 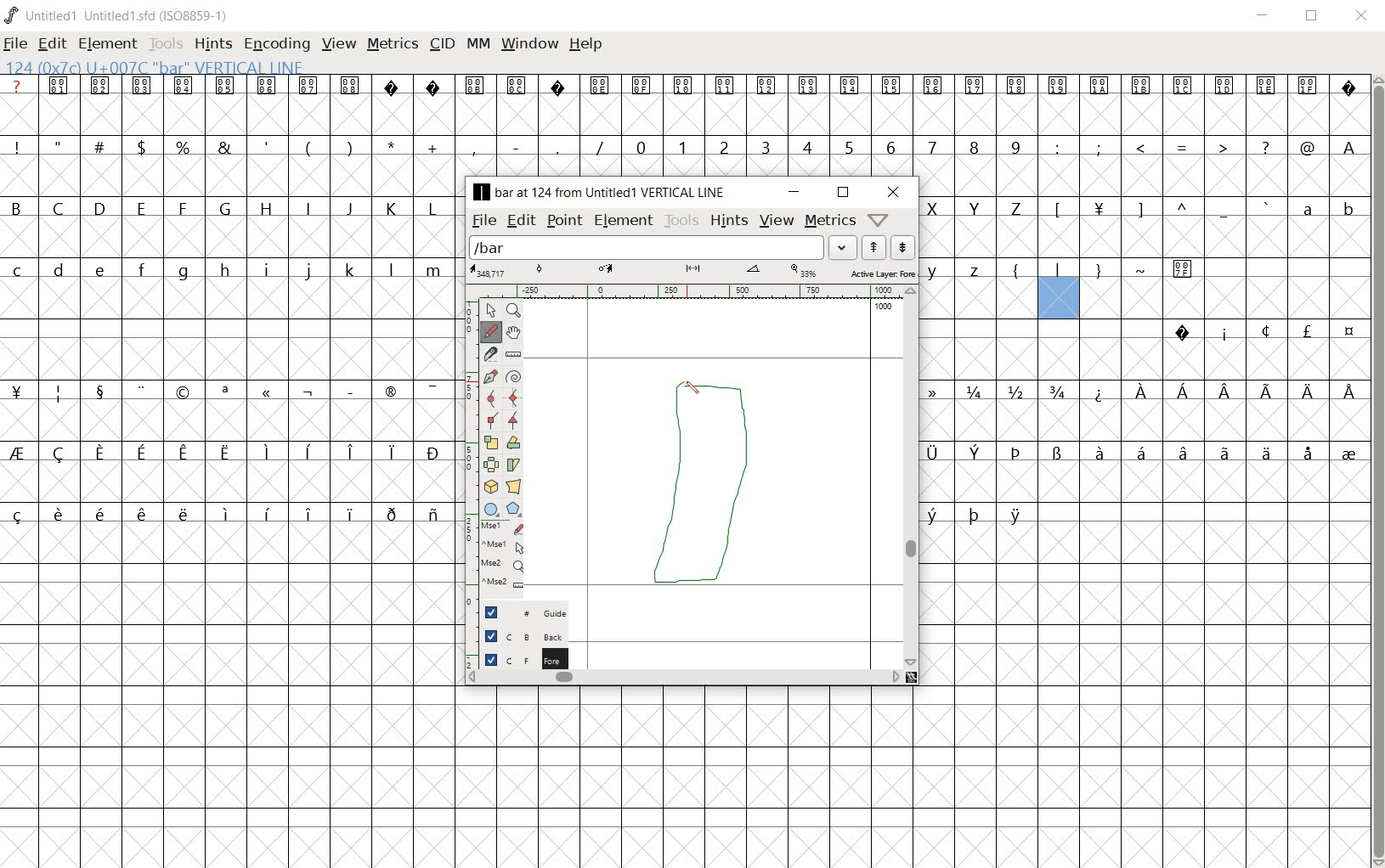 What do you see at coordinates (278, 43) in the screenshot?
I see `encoding` at bounding box center [278, 43].